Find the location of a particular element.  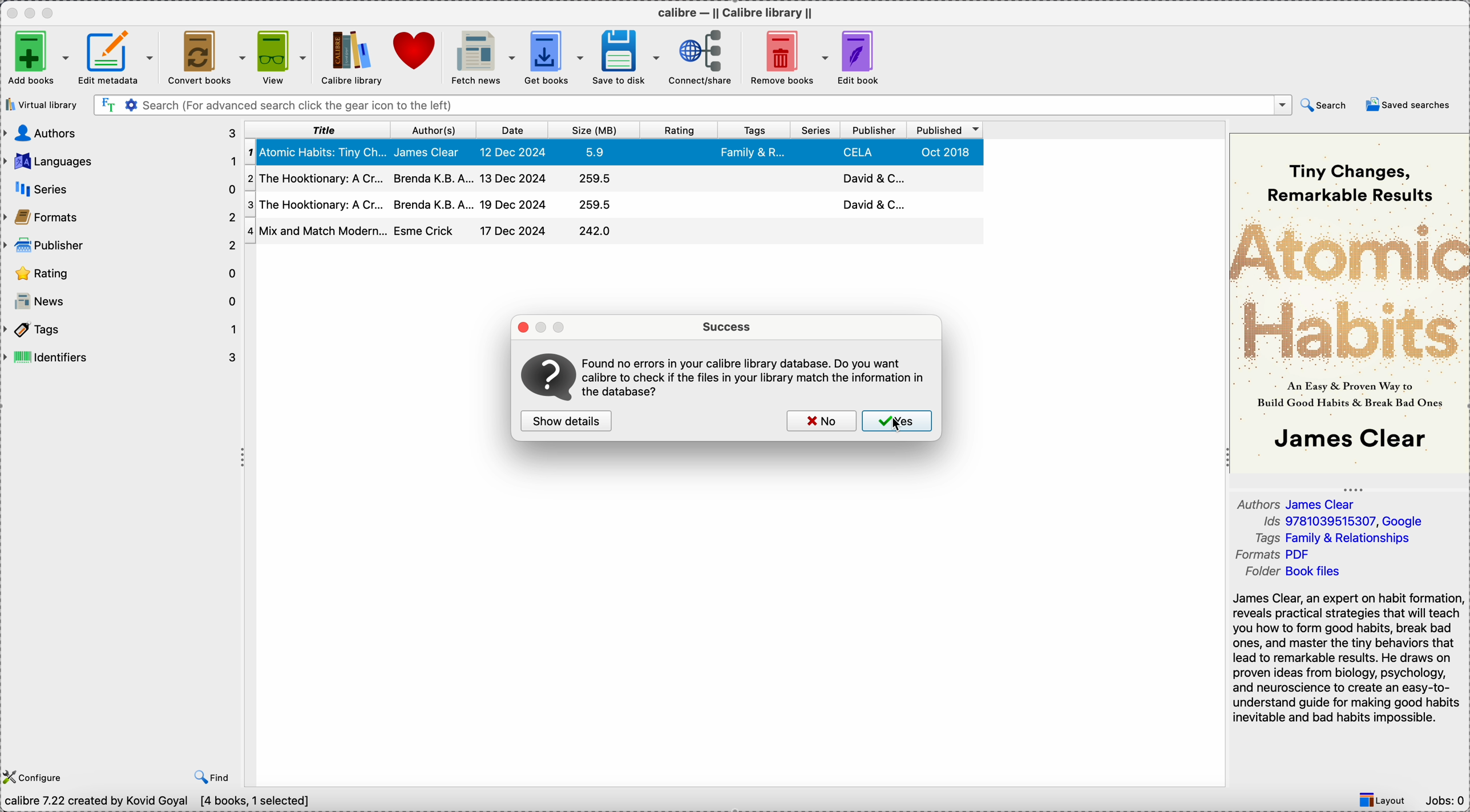

pages is located at coordinates (544, 328).